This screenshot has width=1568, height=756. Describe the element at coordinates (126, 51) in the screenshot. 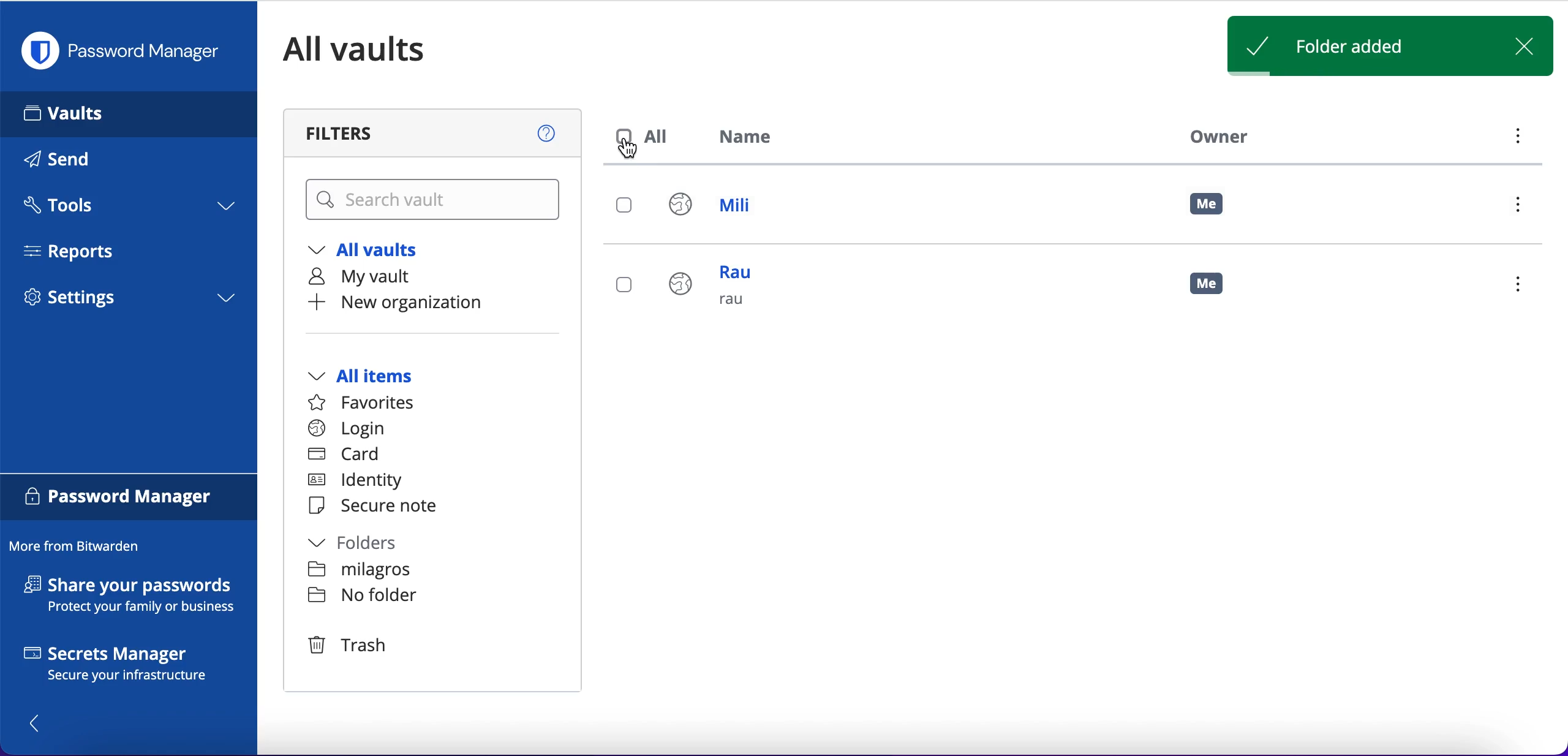

I see `password manager` at that location.